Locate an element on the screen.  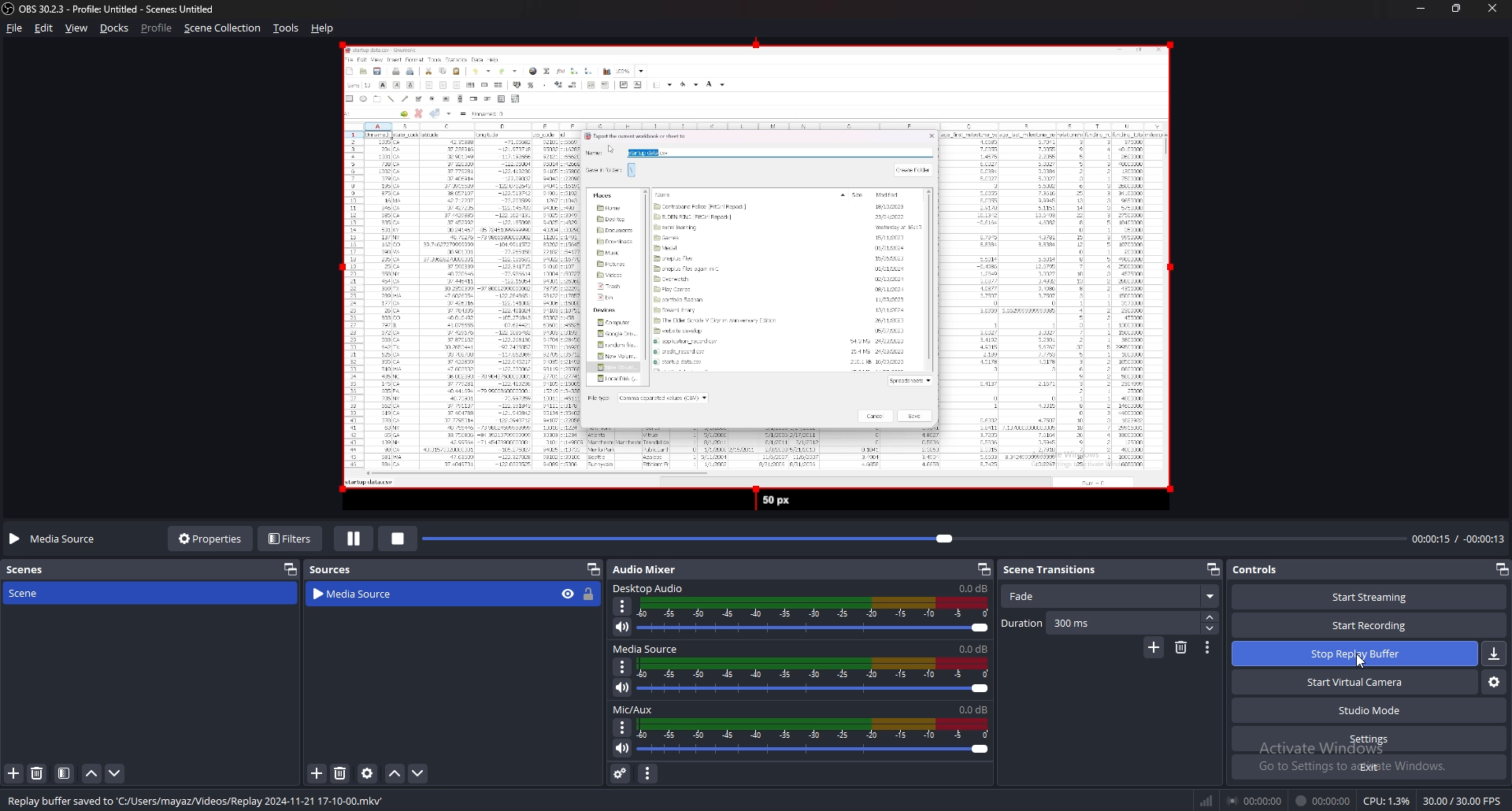
options is located at coordinates (624, 666).